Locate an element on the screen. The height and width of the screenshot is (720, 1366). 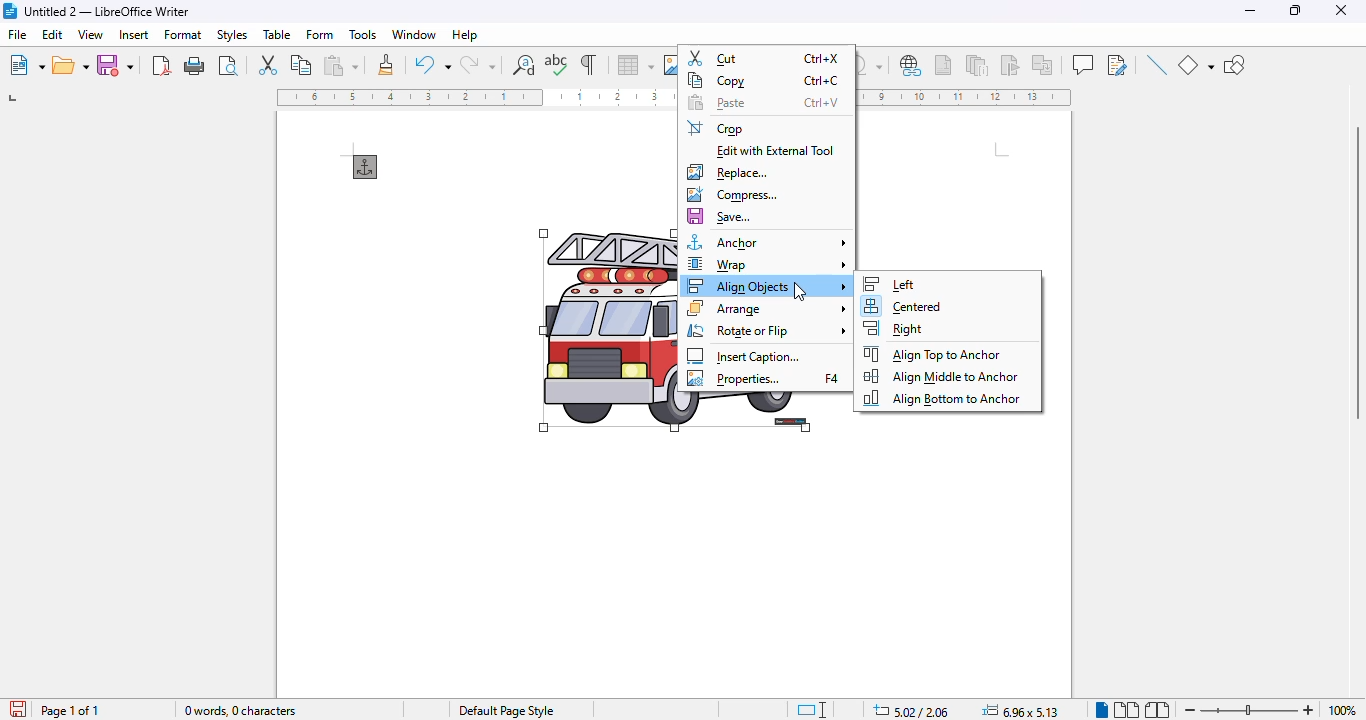
close is located at coordinates (1341, 10).